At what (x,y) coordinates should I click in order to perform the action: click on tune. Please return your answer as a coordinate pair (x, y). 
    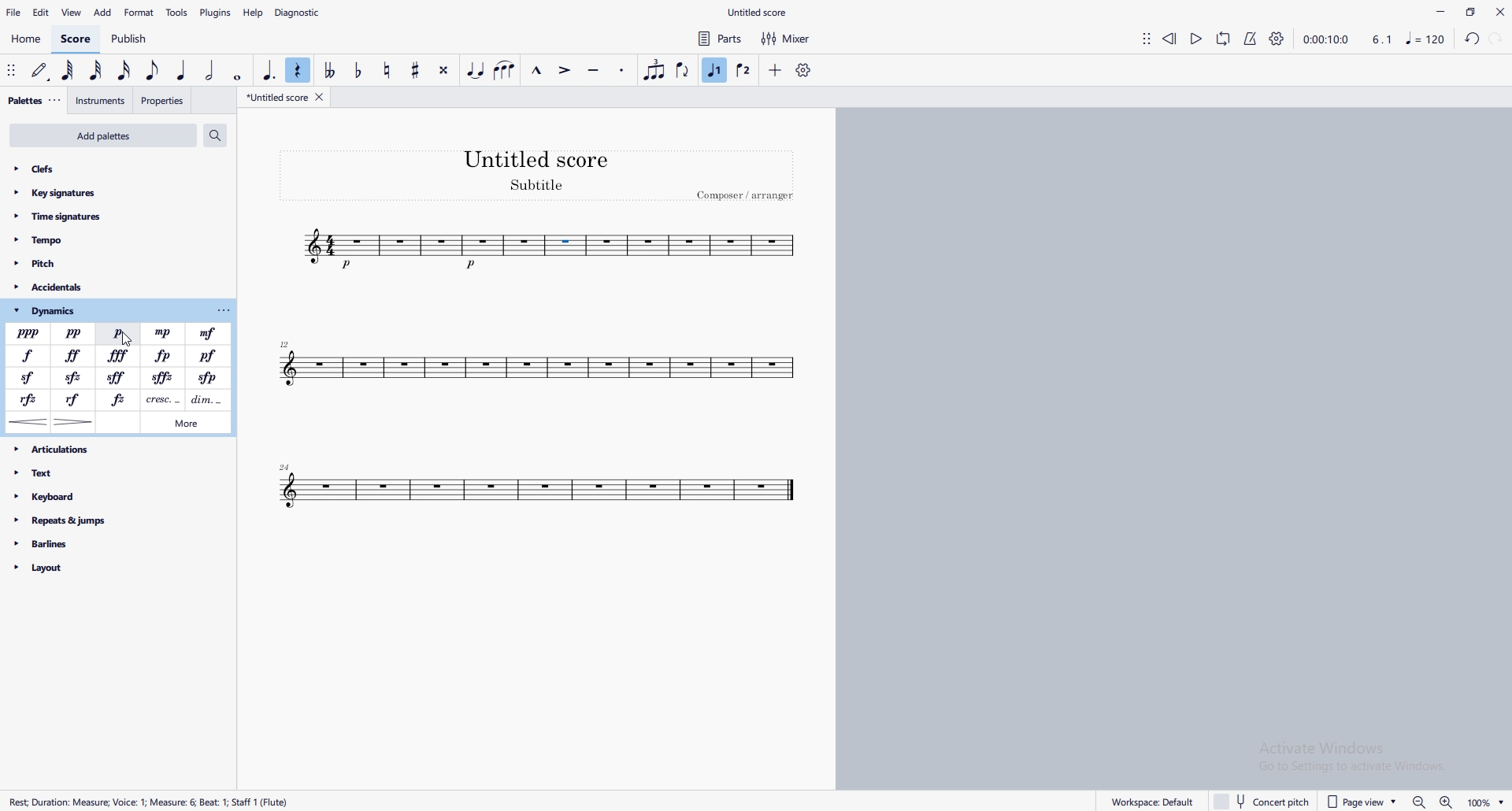
    Looking at the image, I should click on (541, 490).